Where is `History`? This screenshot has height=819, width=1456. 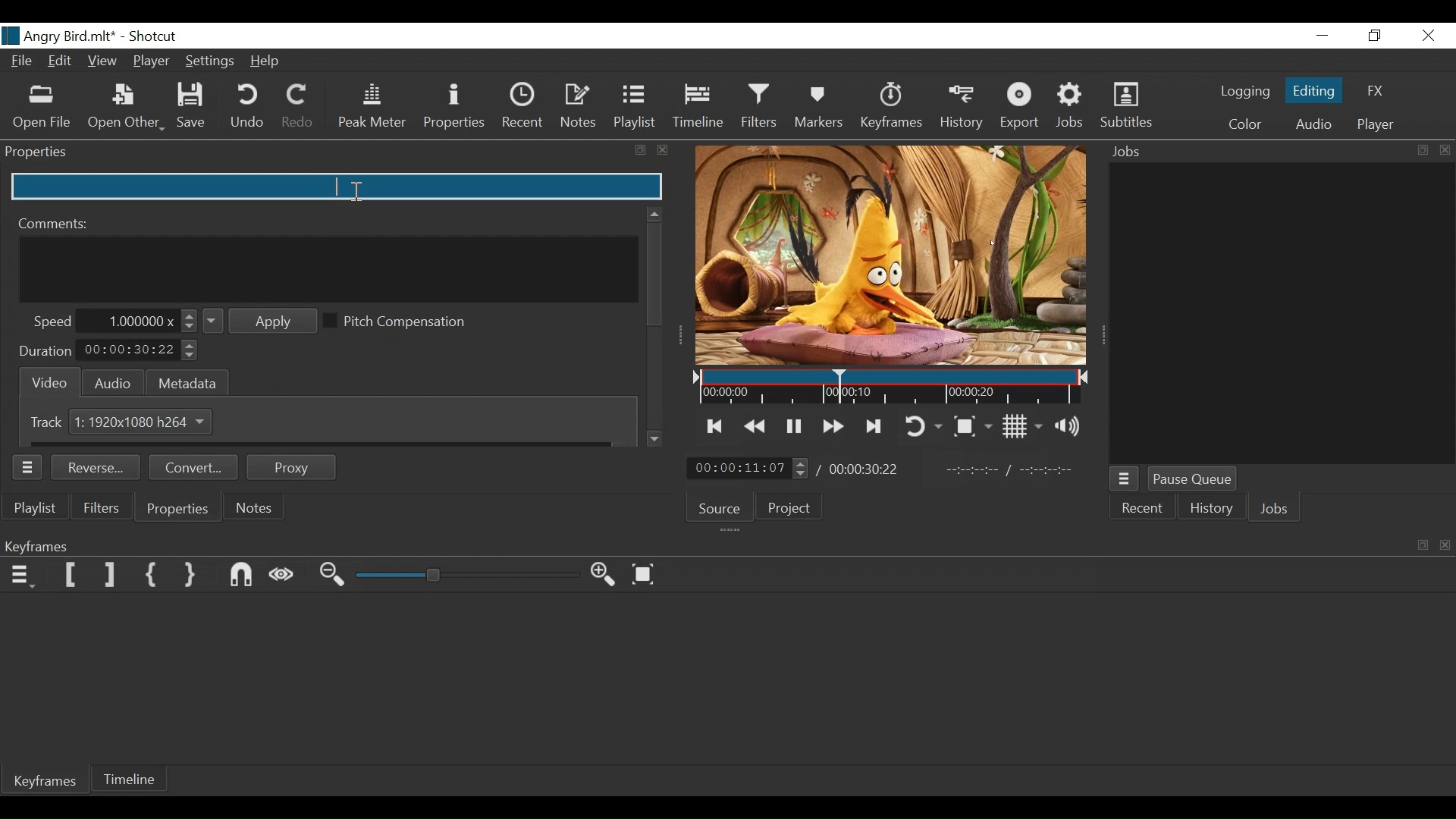
History is located at coordinates (961, 111).